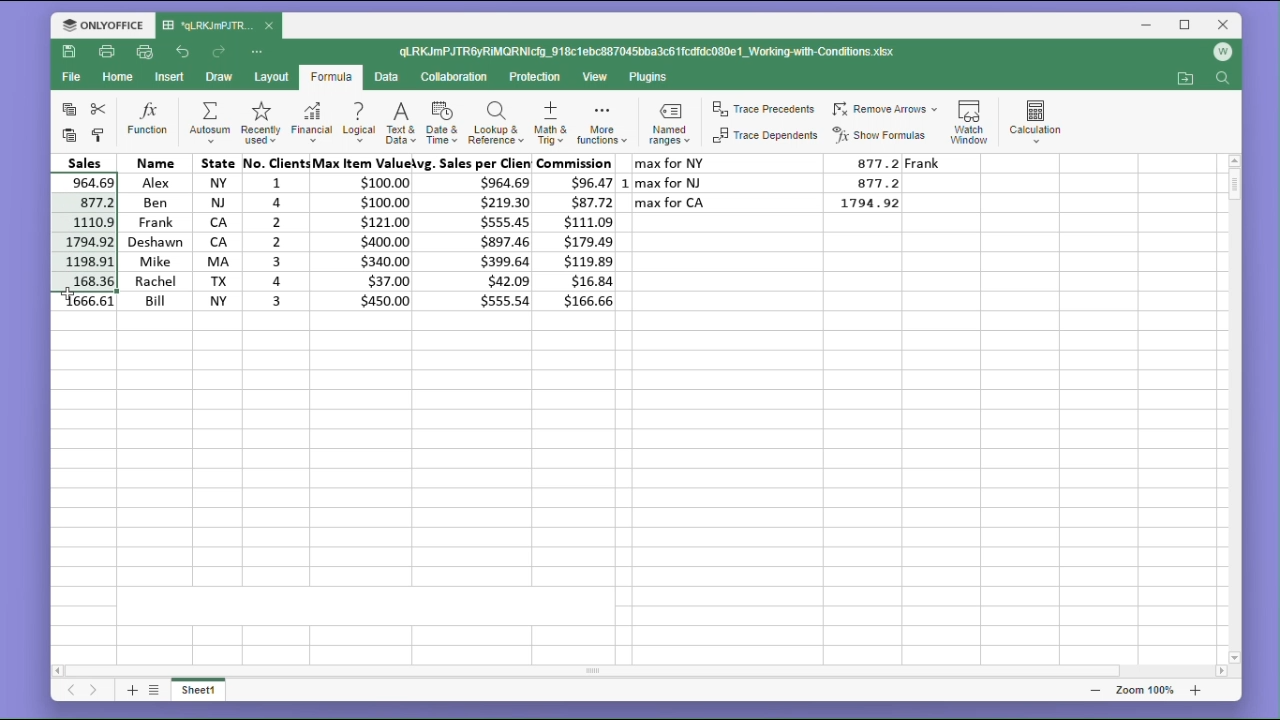  I want to click on add sheet, so click(130, 690).